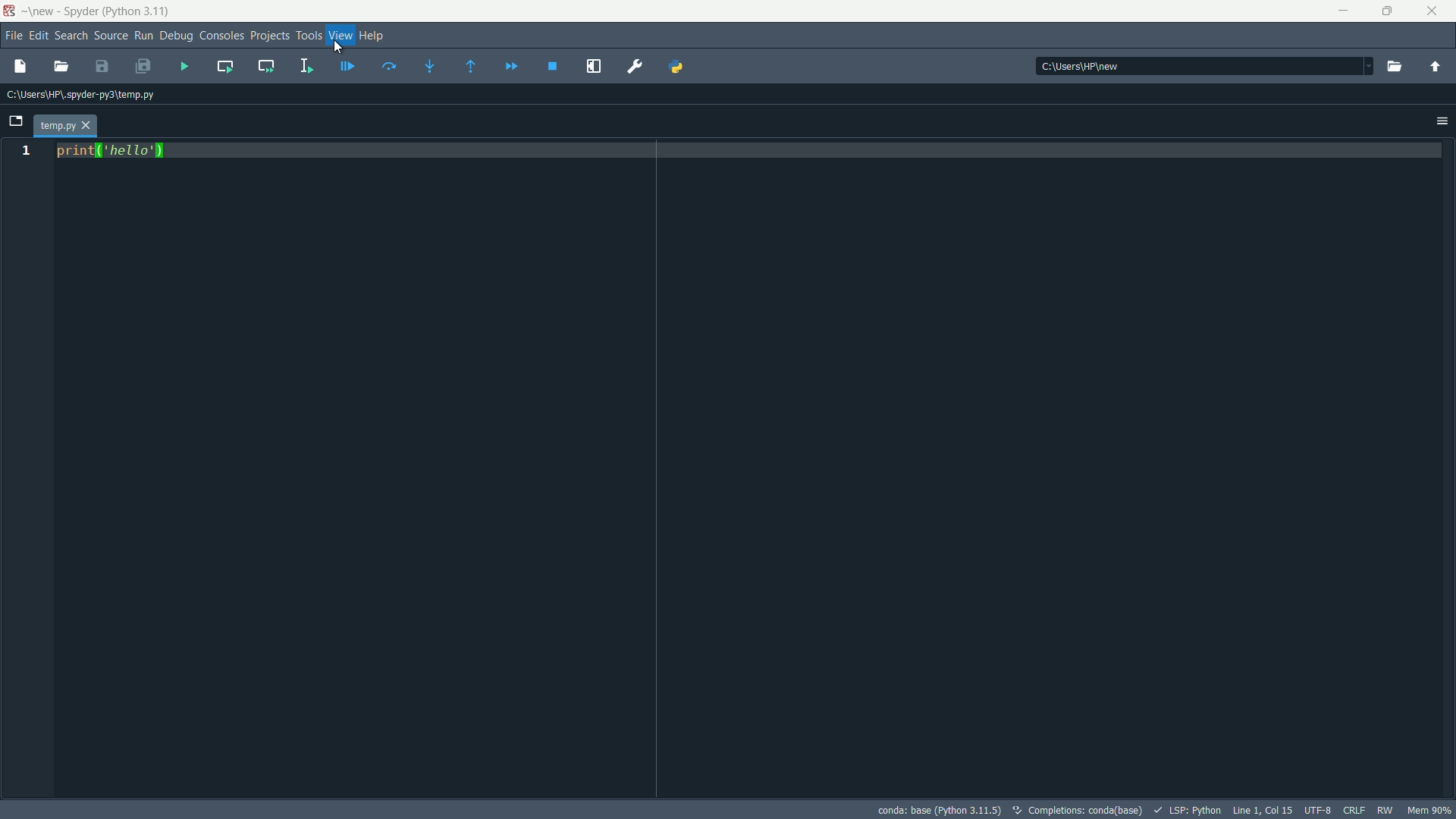 This screenshot has width=1456, height=819. Describe the element at coordinates (83, 96) in the screenshot. I see `c:\users\hp\.spyder-py3\temp.py` at that location.